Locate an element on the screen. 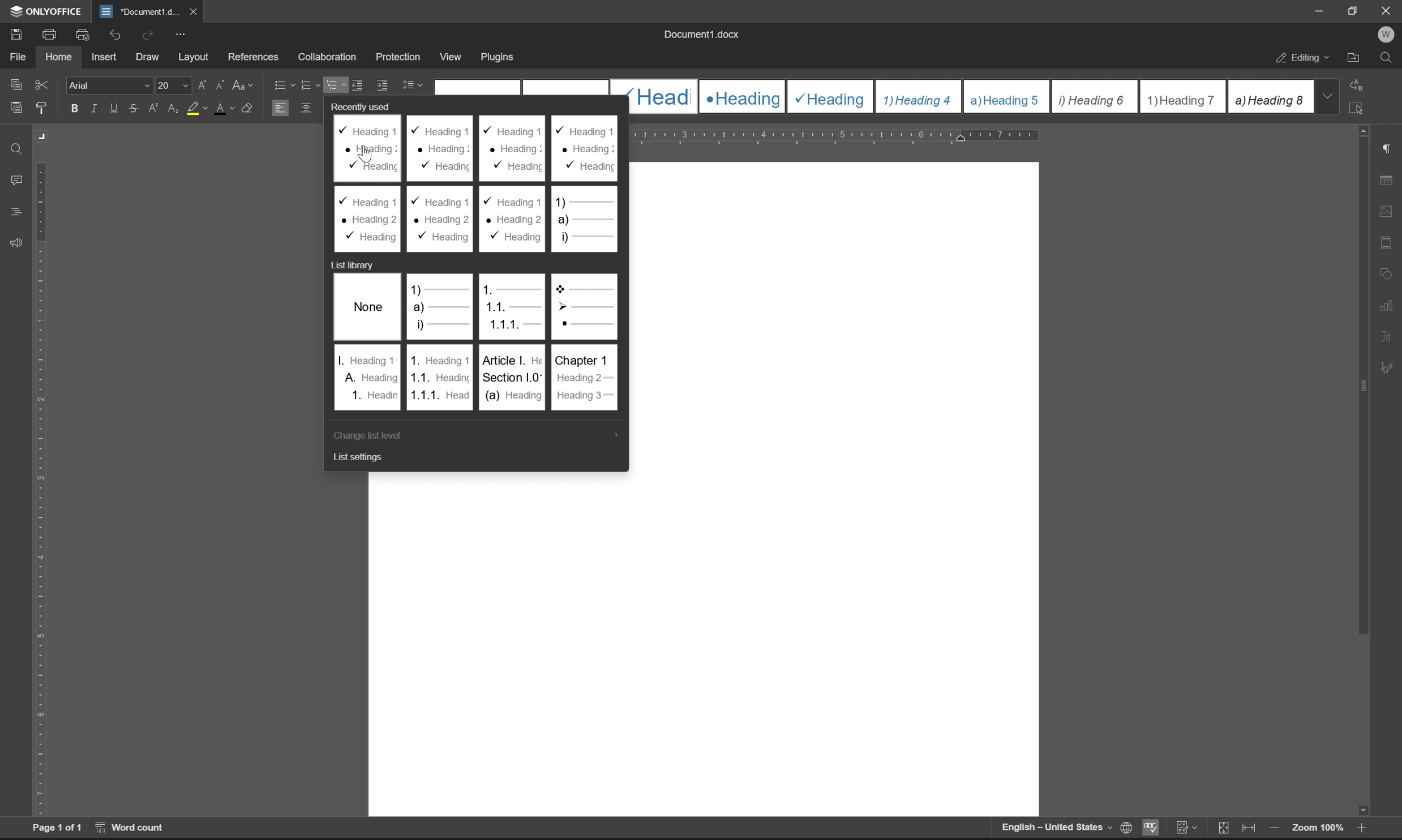 Image resolution: width=1402 pixels, height=840 pixels. English-United States is located at coordinates (1055, 828).